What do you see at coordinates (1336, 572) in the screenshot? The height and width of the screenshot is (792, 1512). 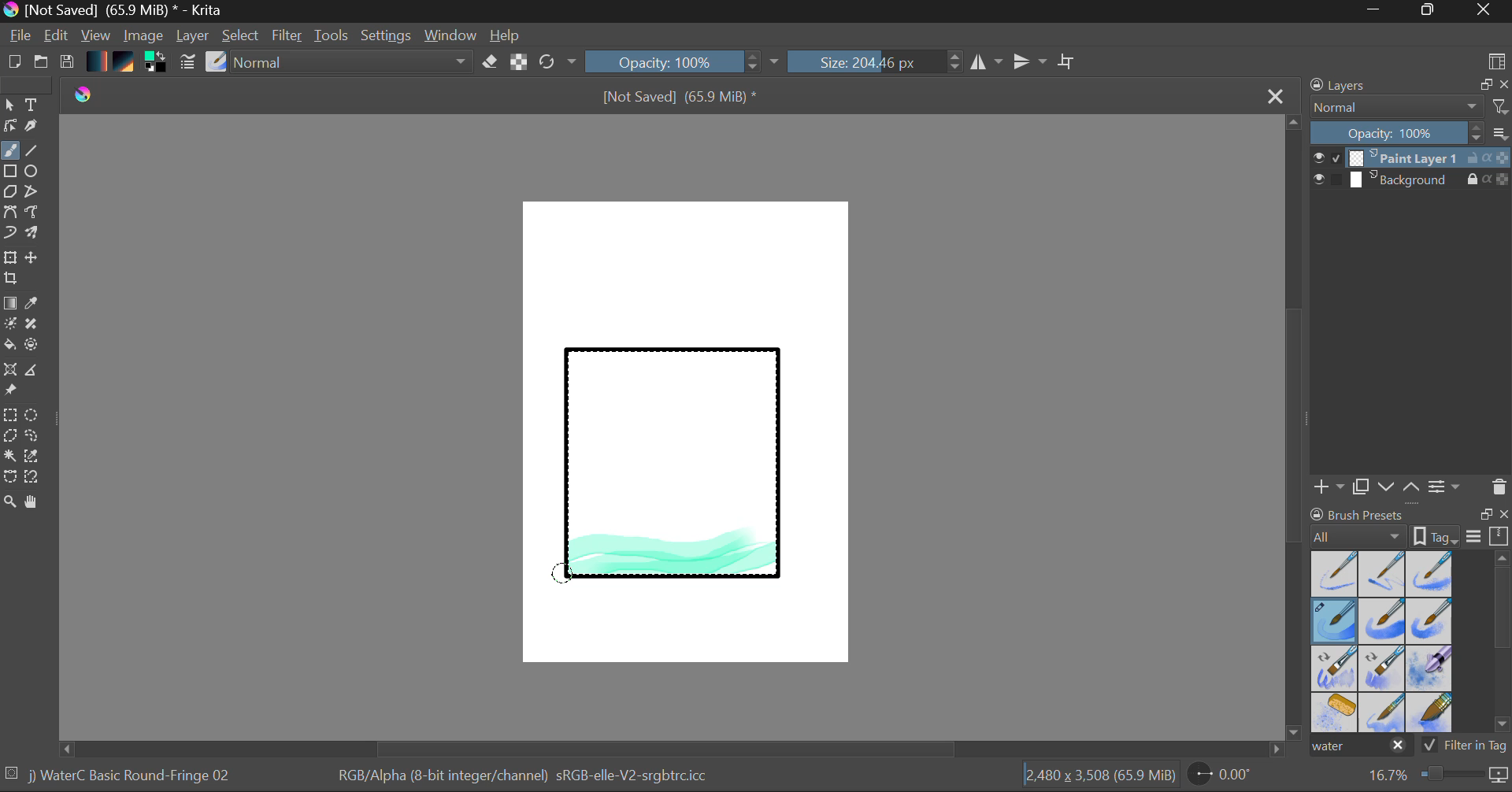 I see `Water C - Dry` at bounding box center [1336, 572].